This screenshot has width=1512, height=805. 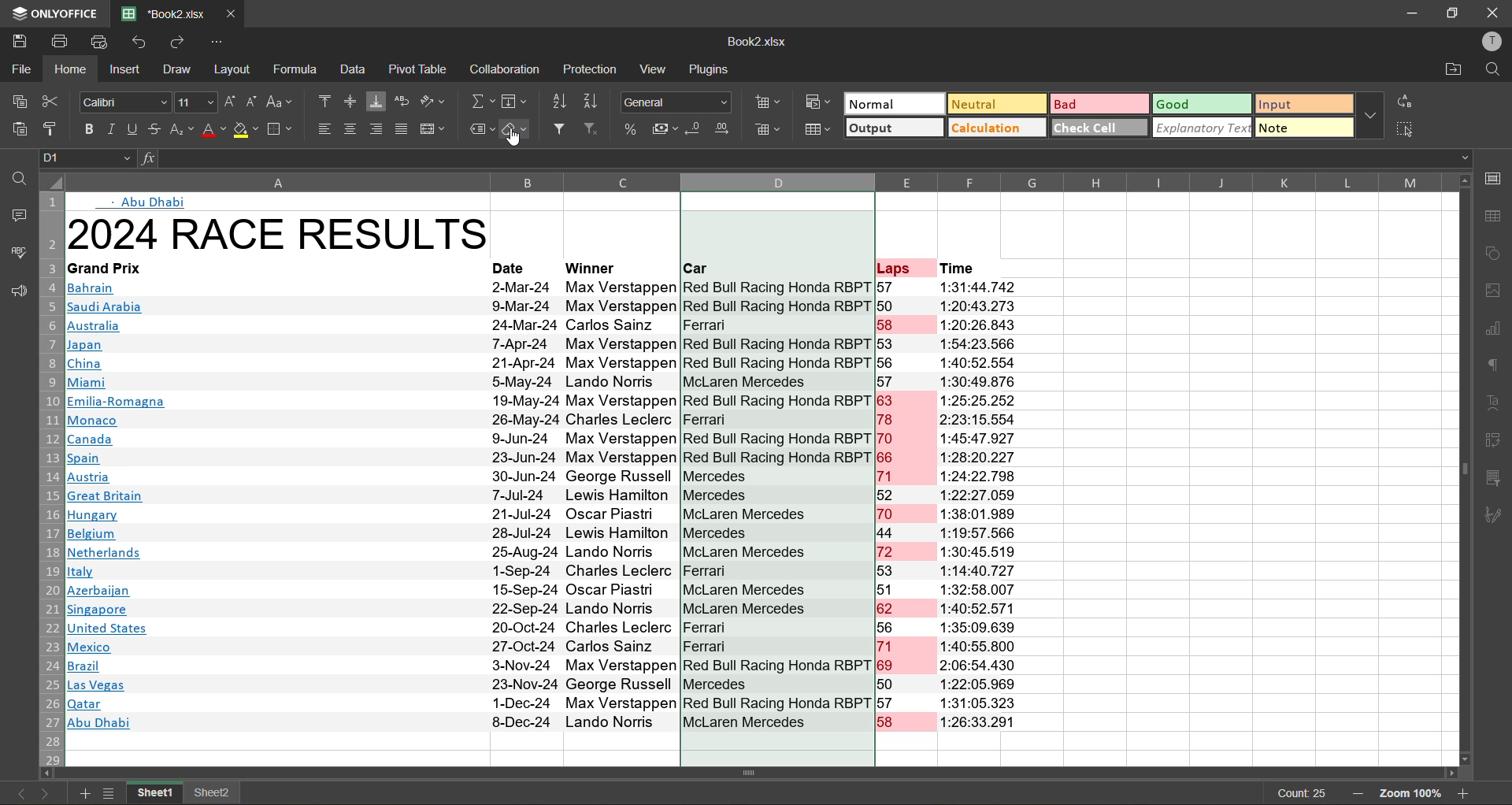 What do you see at coordinates (16, 218) in the screenshot?
I see `comments` at bounding box center [16, 218].